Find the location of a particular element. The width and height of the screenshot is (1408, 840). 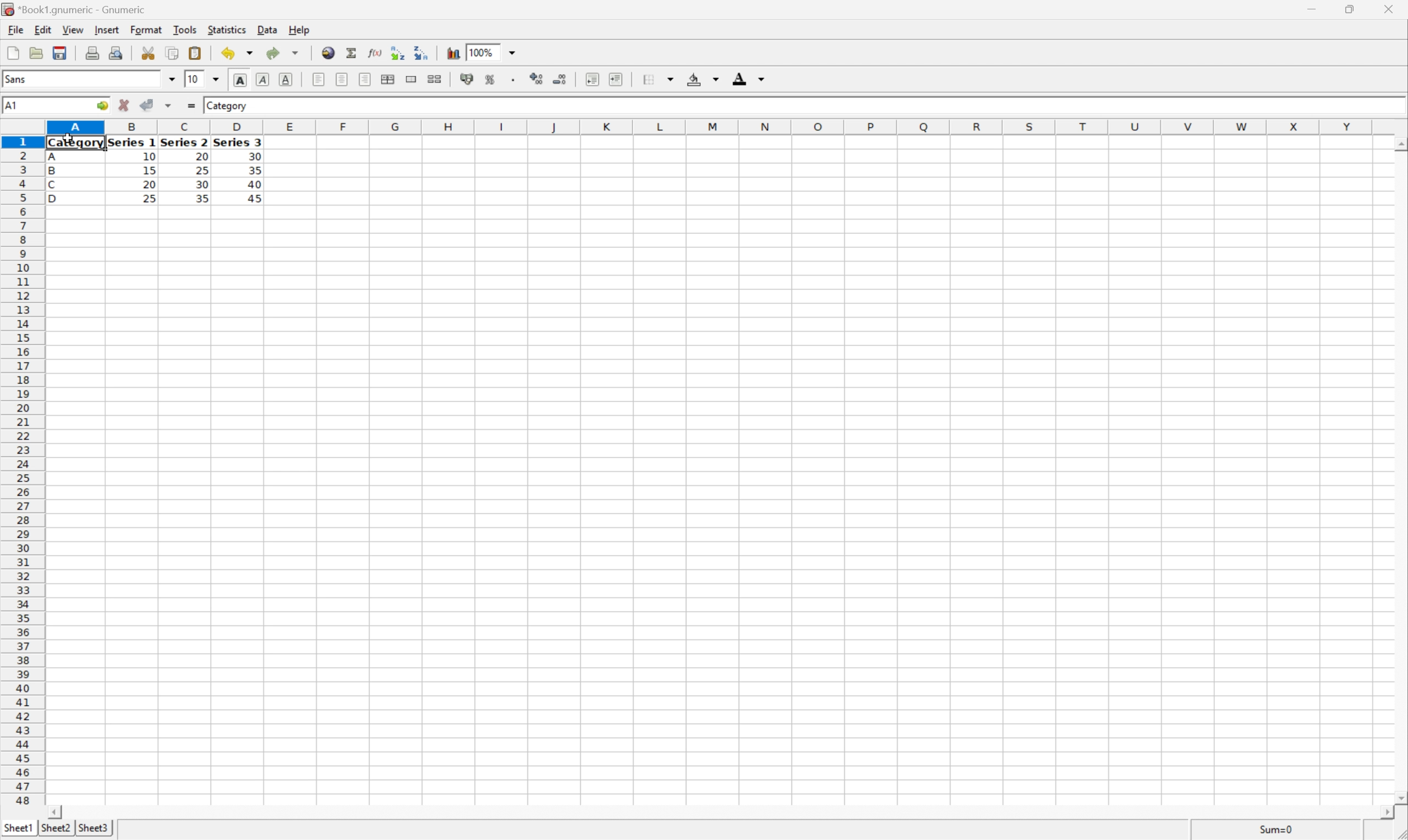

Decrease the number of decimals displayed is located at coordinates (559, 78).